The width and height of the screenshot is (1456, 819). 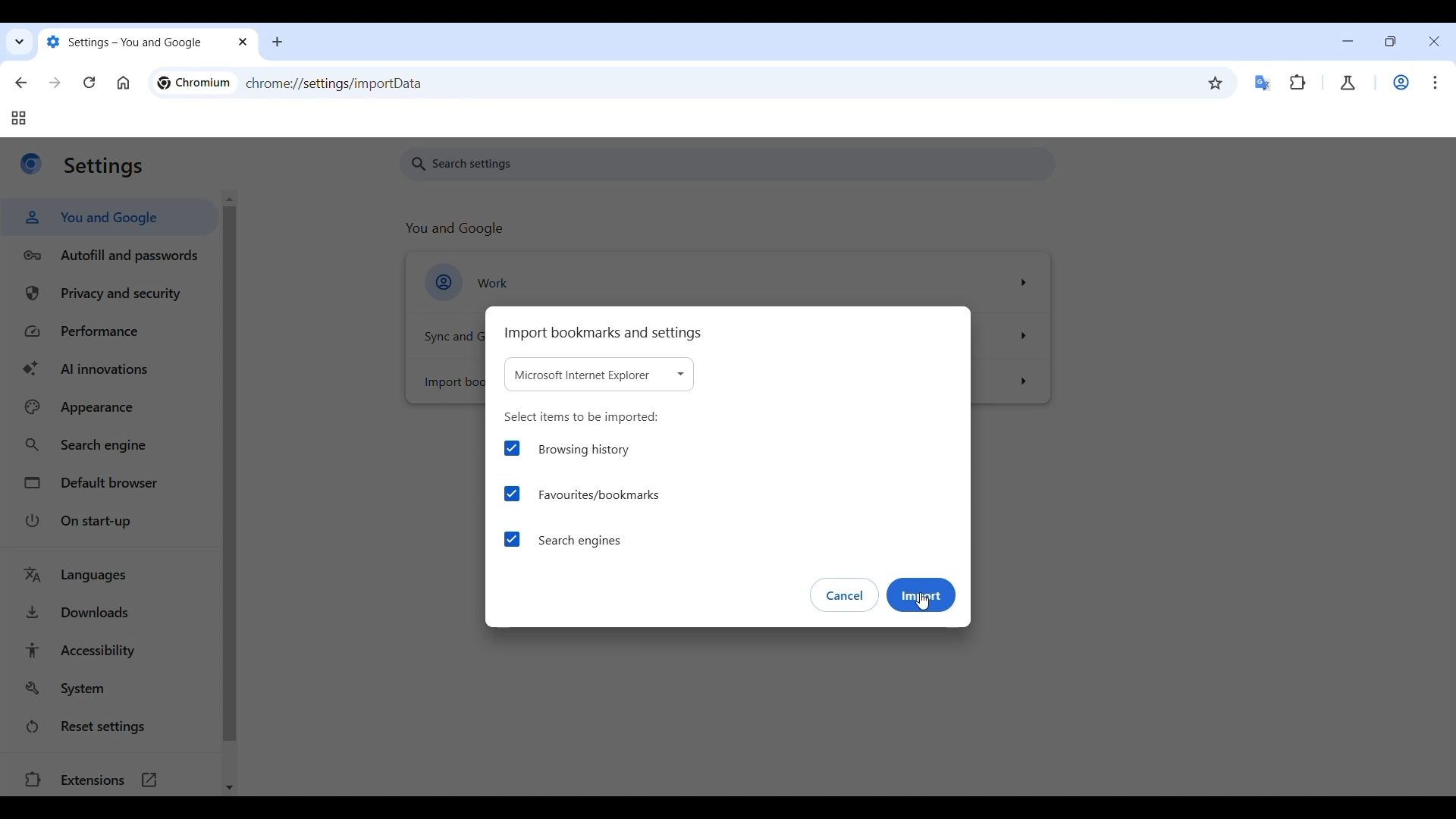 I want to click on Indicates import bookmark and settings, so click(x=603, y=334).